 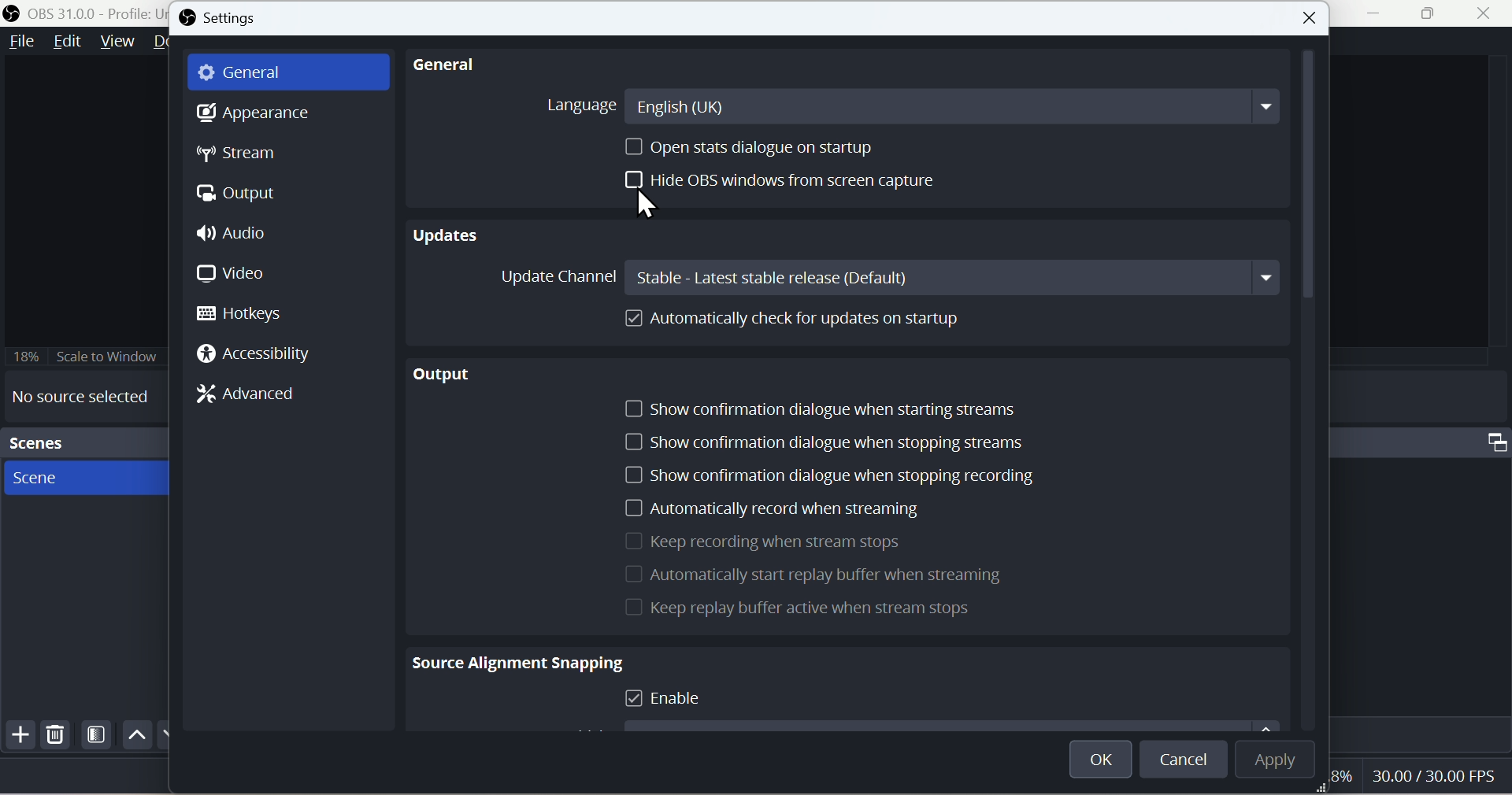 I want to click on Settings, so click(x=220, y=19).